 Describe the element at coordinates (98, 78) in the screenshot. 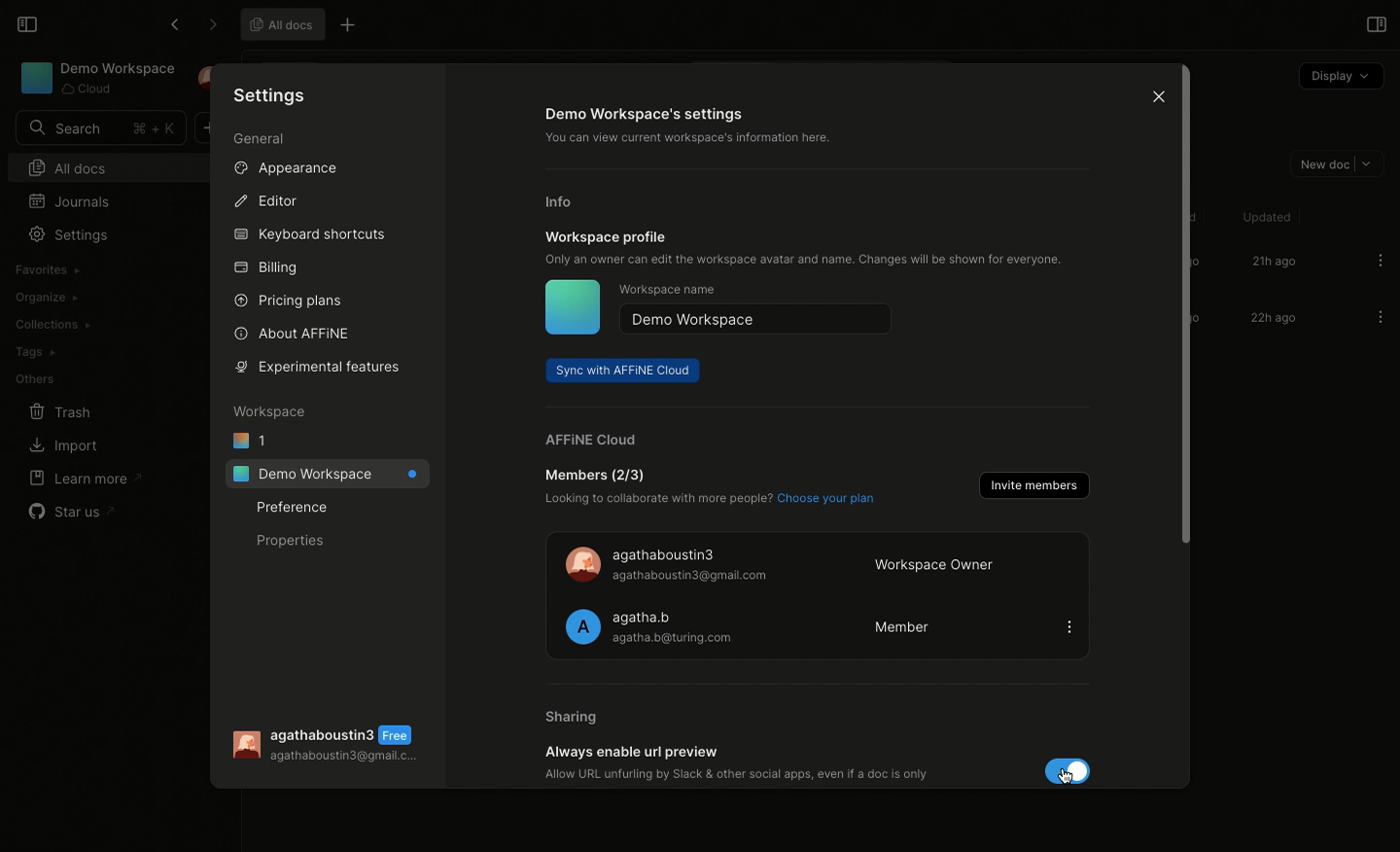

I see `Demo Workspace` at that location.